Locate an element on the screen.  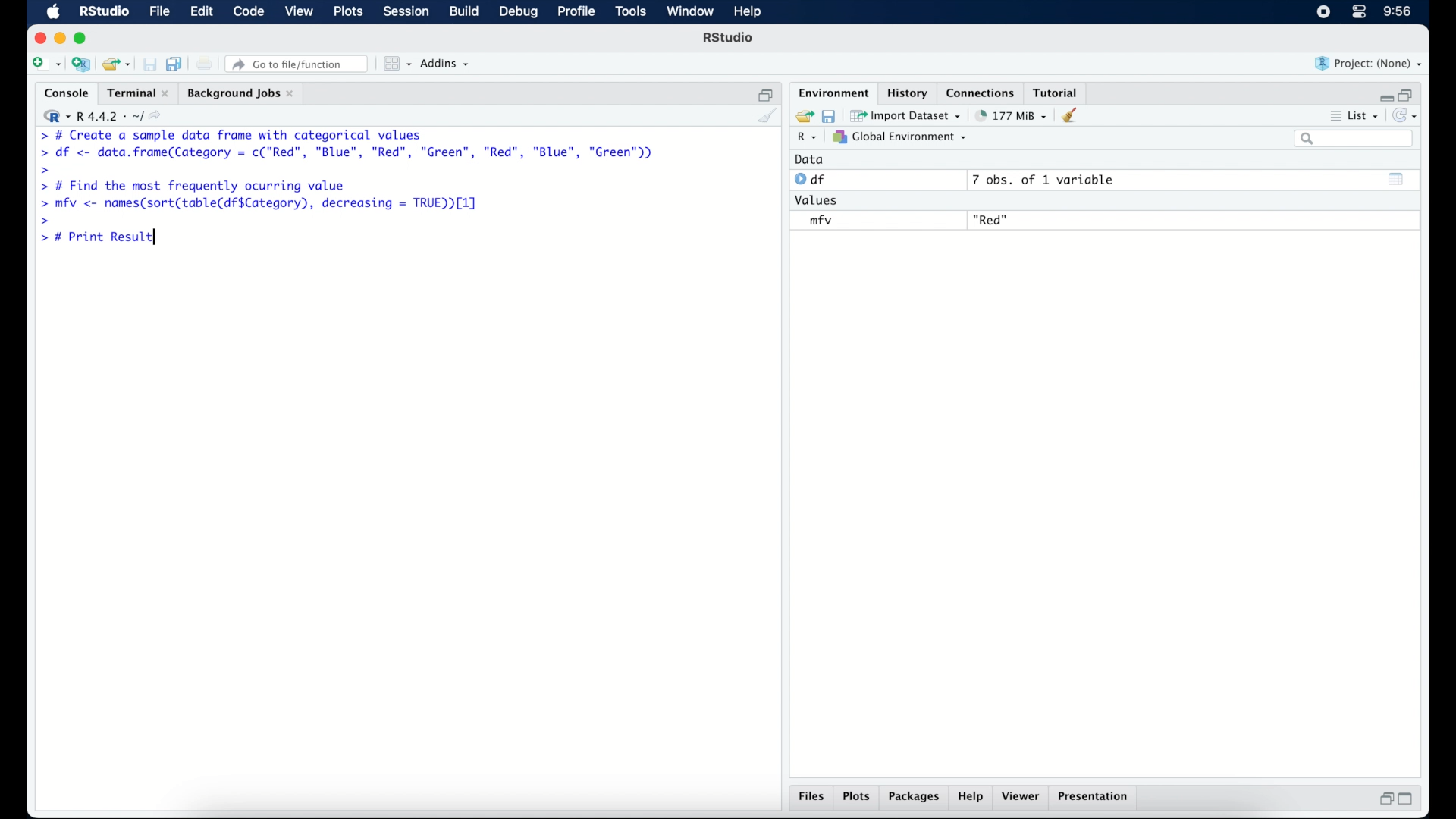
addins is located at coordinates (447, 64).